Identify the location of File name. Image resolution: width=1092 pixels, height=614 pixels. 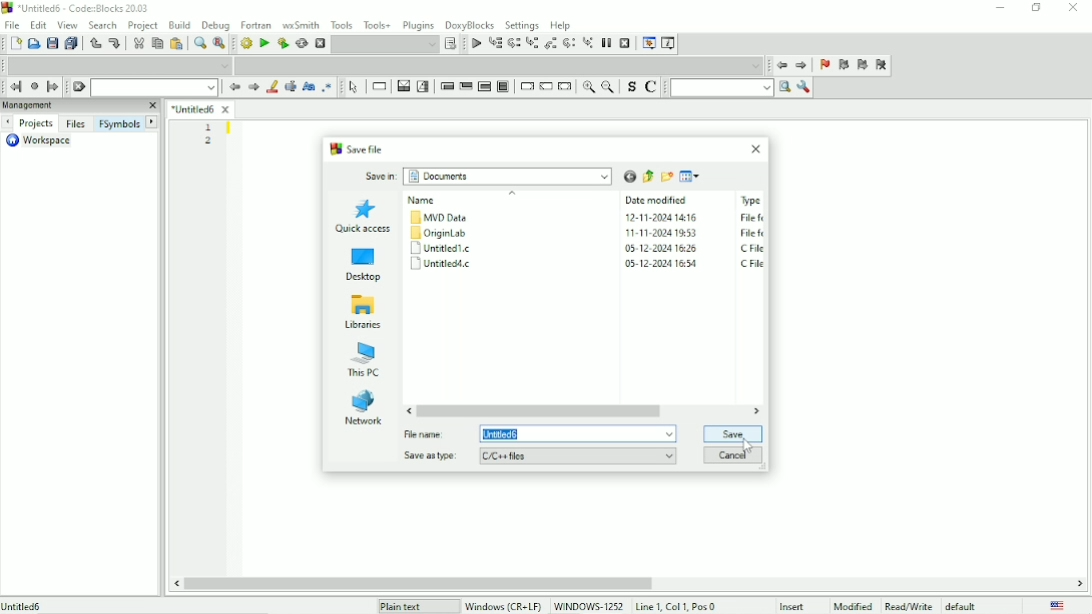
(541, 434).